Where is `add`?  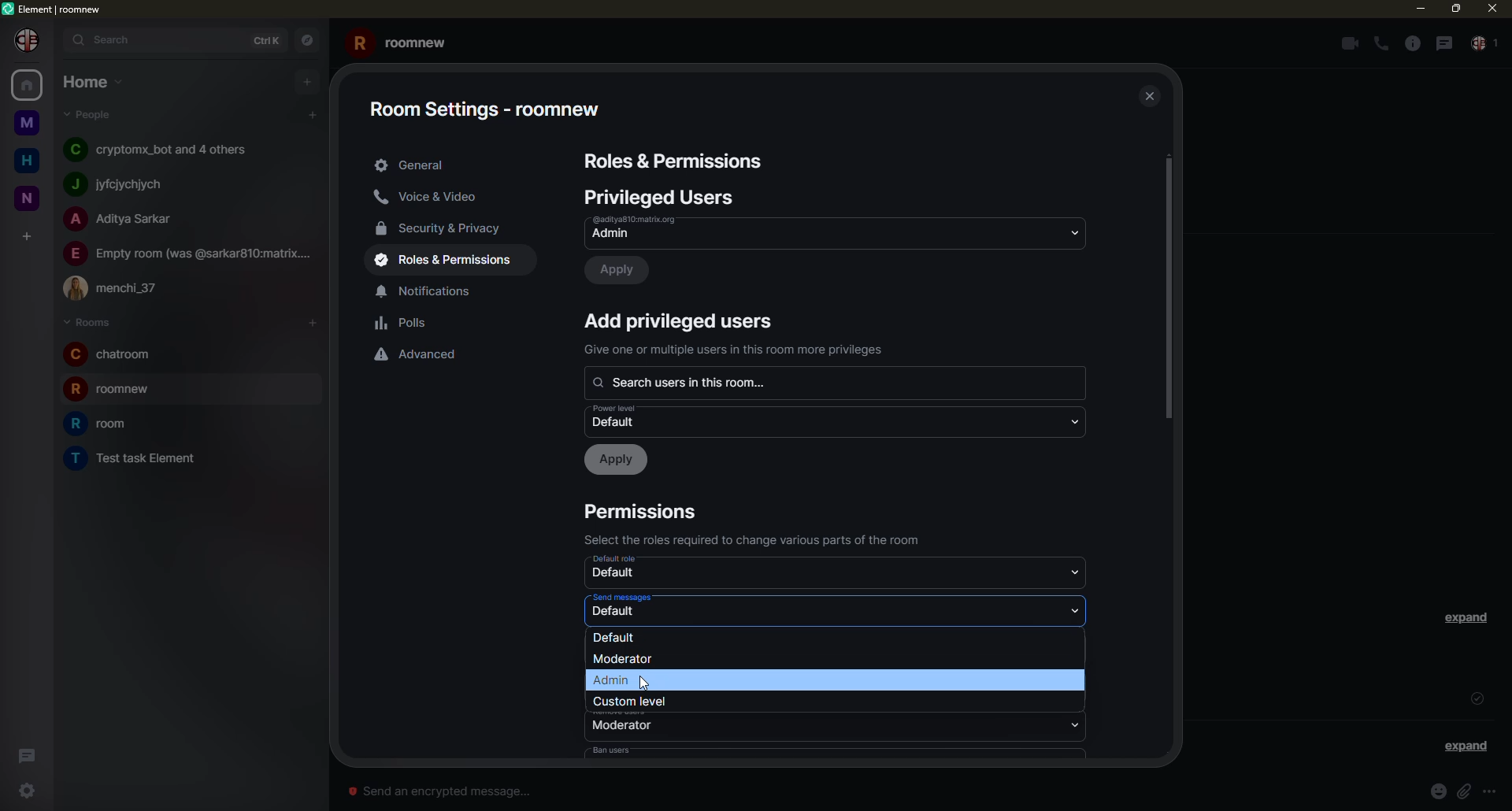
add is located at coordinates (313, 114).